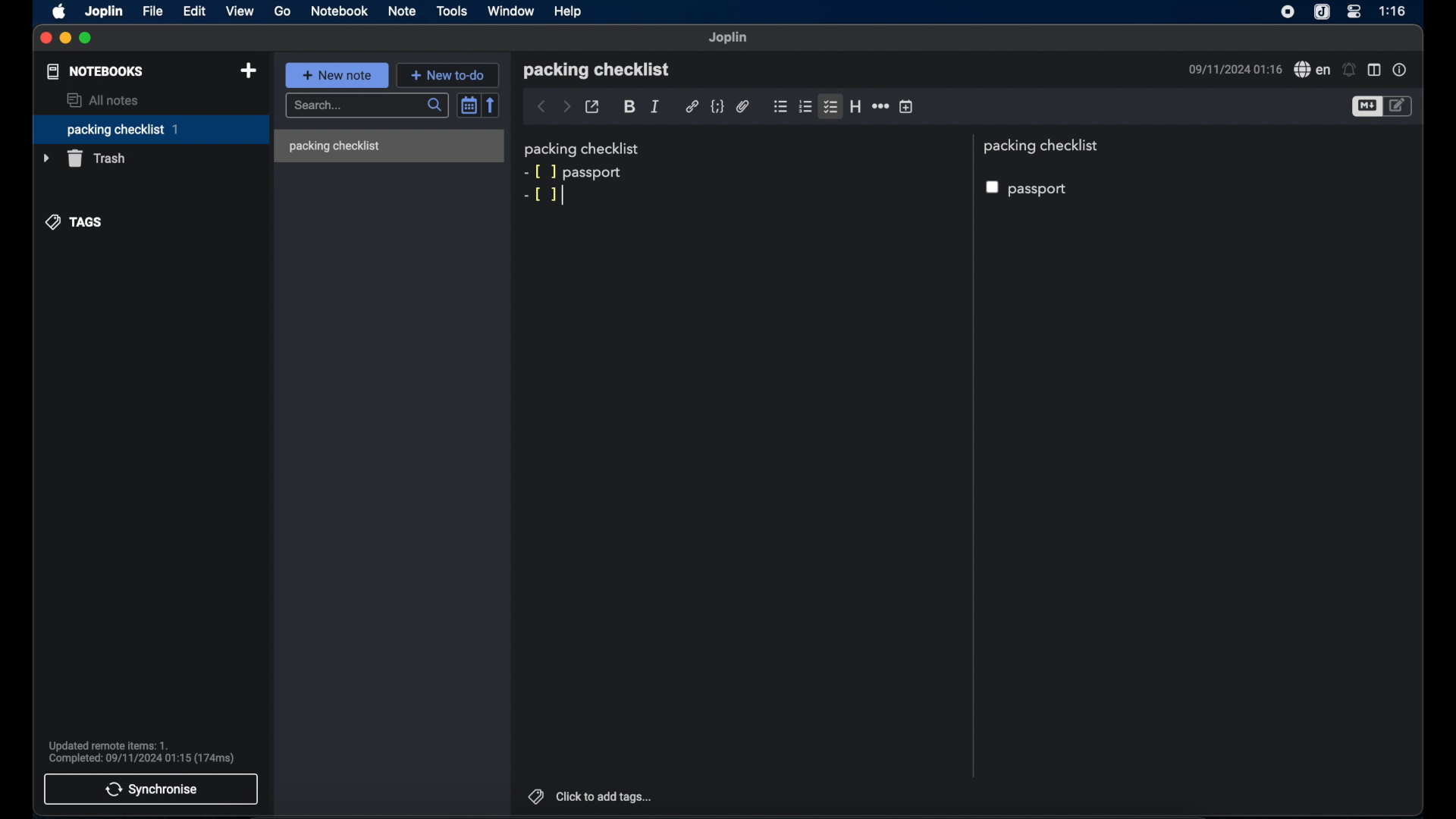 This screenshot has height=819, width=1456. What do you see at coordinates (780, 108) in the screenshot?
I see `bulleted checklist` at bounding box center [780, 108].